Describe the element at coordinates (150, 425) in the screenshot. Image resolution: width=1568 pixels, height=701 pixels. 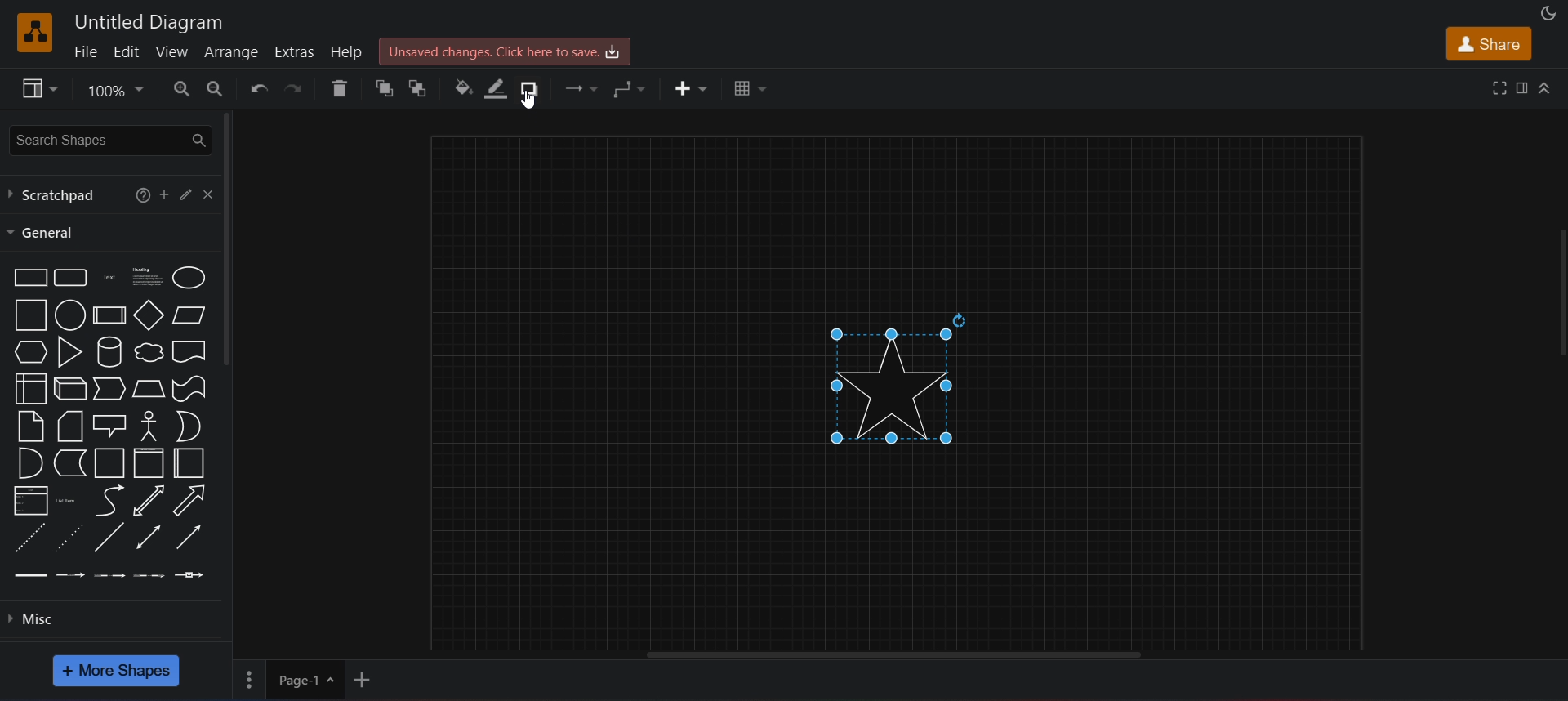
I see `actor` at that location.